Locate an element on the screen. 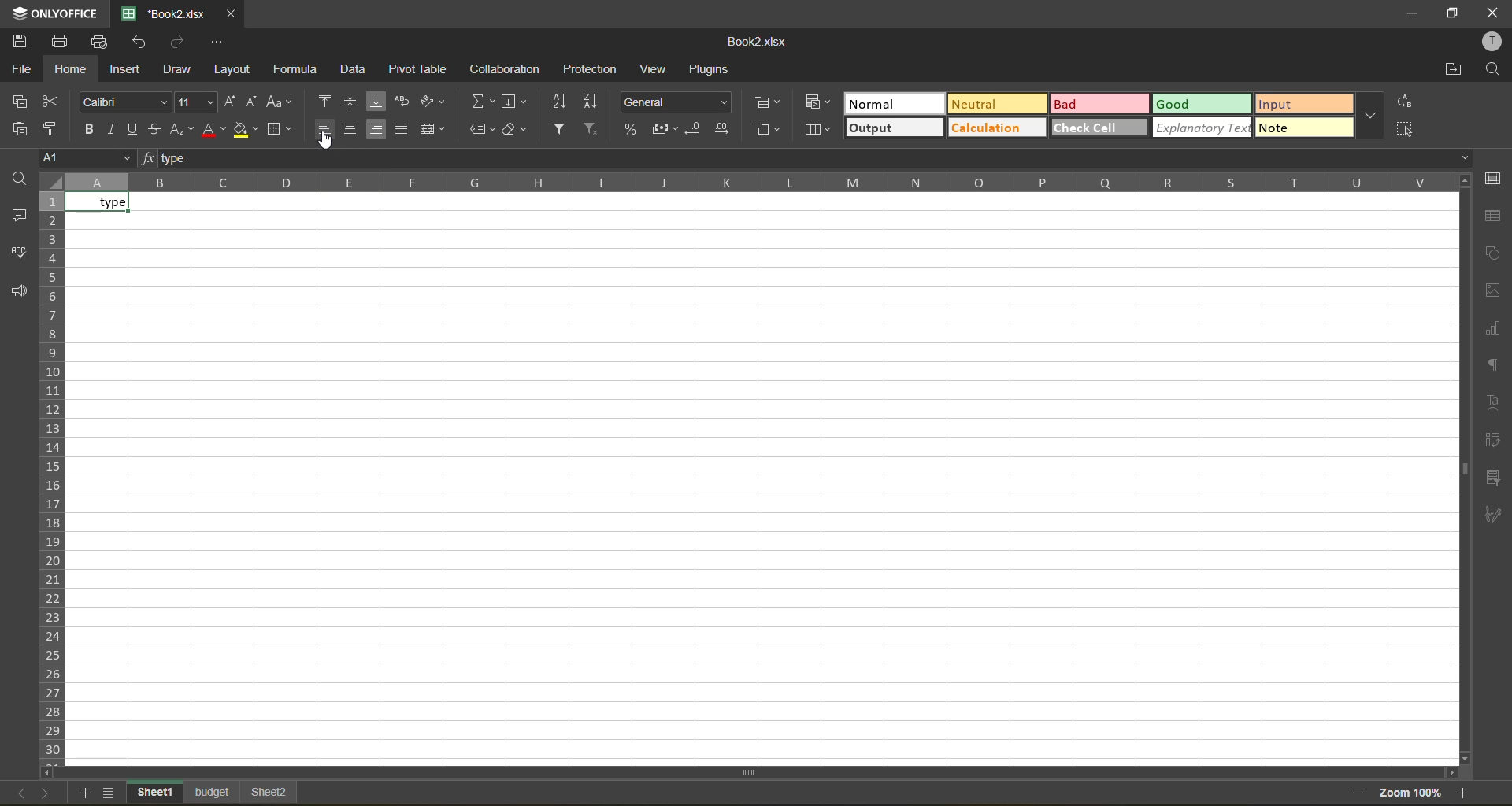  replace is located at coordinates (1405, 106).